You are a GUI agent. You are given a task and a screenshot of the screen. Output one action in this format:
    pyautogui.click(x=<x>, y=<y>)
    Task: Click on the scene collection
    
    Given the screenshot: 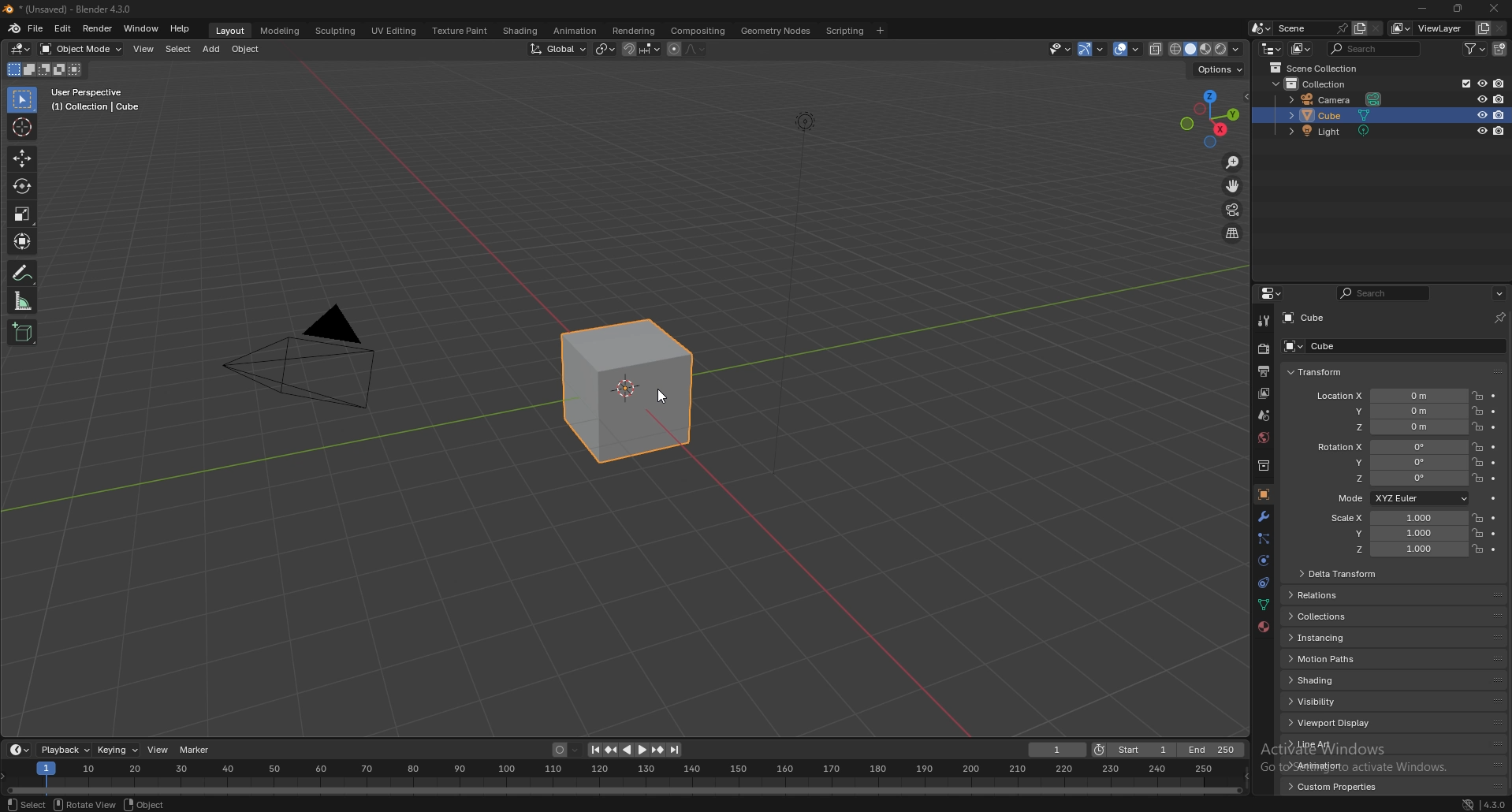 What is the action you would take?
    pyautogui.click(x=1316, y=68)
    